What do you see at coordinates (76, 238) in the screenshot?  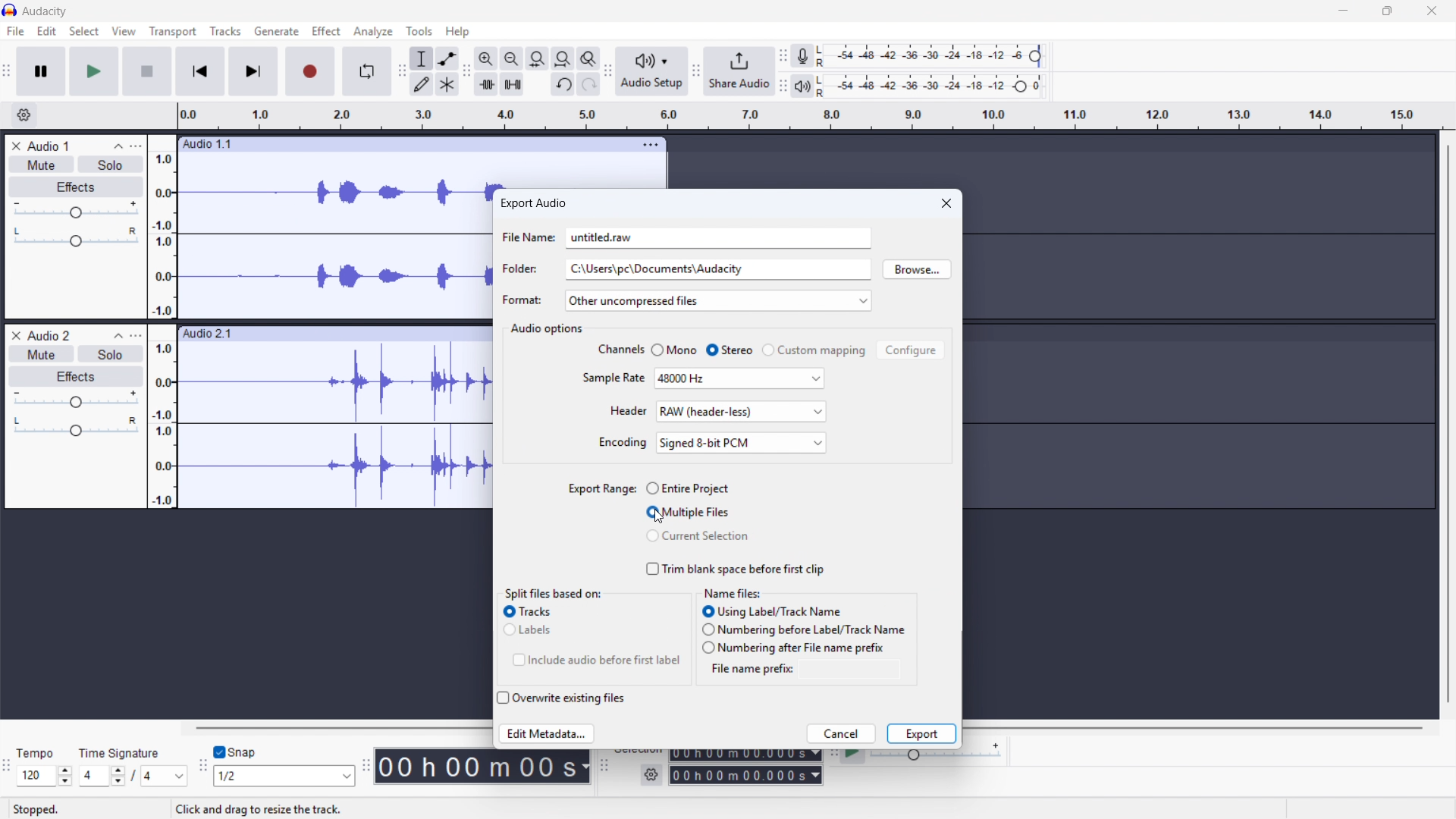 I see `Pan: centre` at bounding box center [76, 238].